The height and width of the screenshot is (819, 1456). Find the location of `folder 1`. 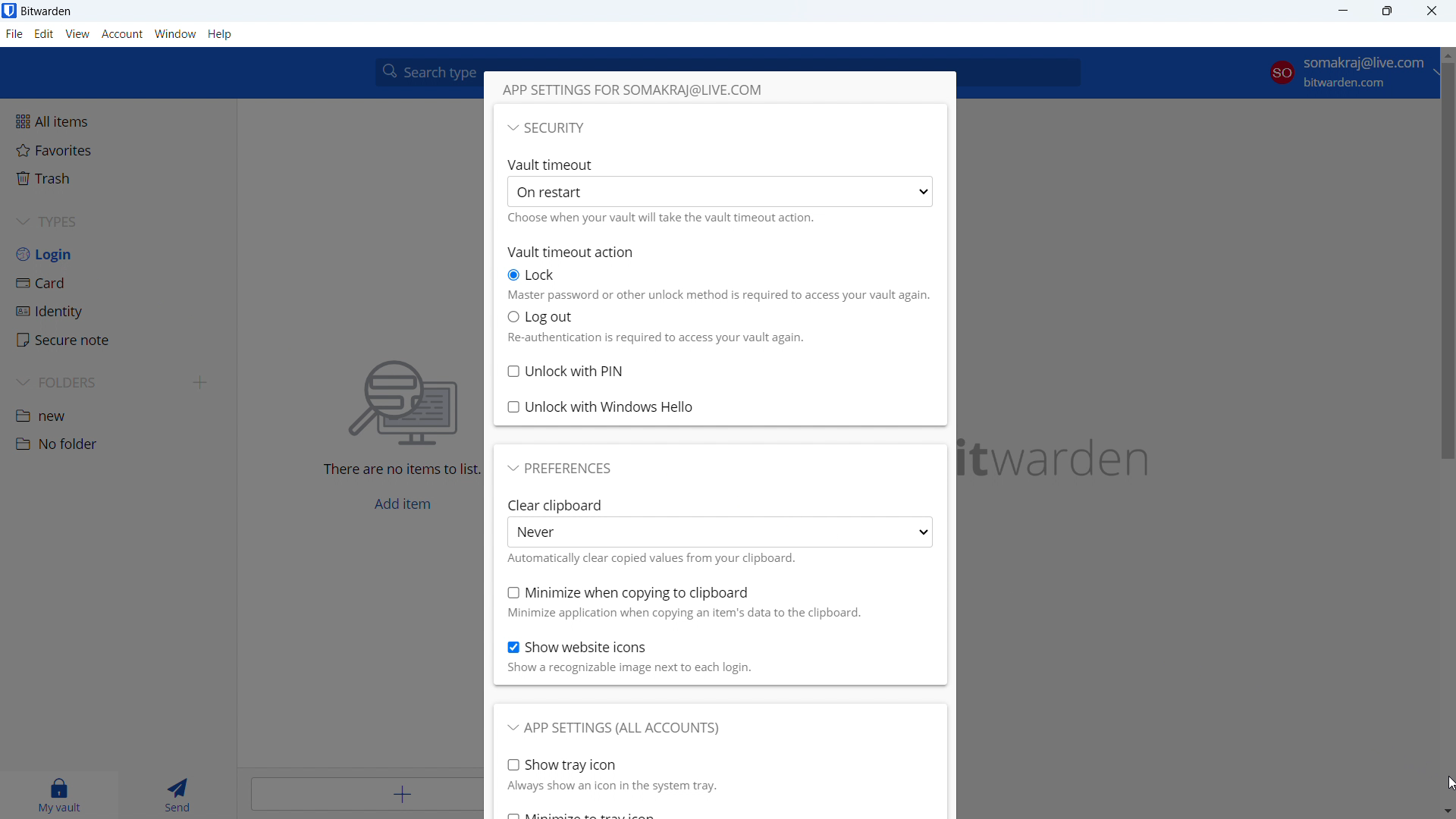

folder 1 is located at coordinates (118, 414).